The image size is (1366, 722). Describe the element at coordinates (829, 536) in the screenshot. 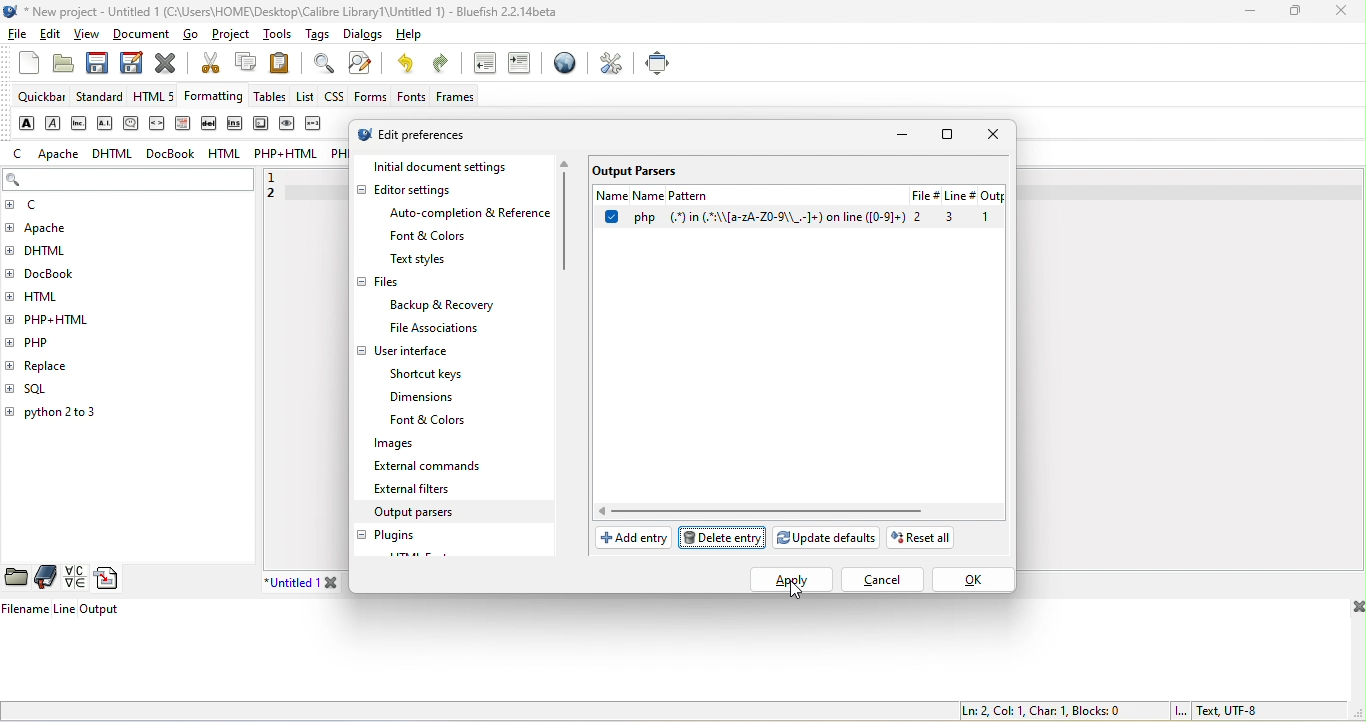

I see `update defaults` at that location.